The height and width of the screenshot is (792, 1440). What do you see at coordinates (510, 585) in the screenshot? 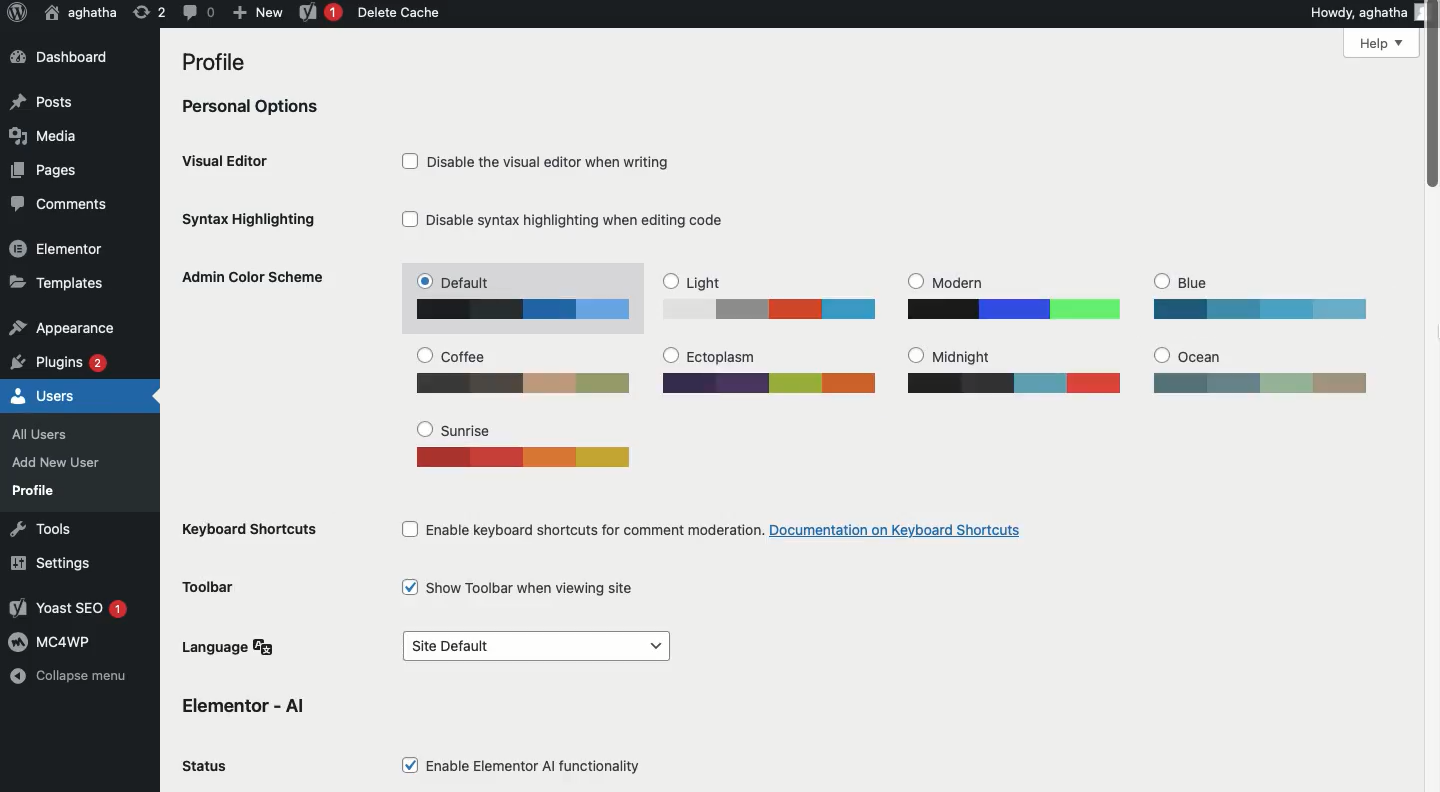
I see `Show toolbar` at bounding box center [510, 585].